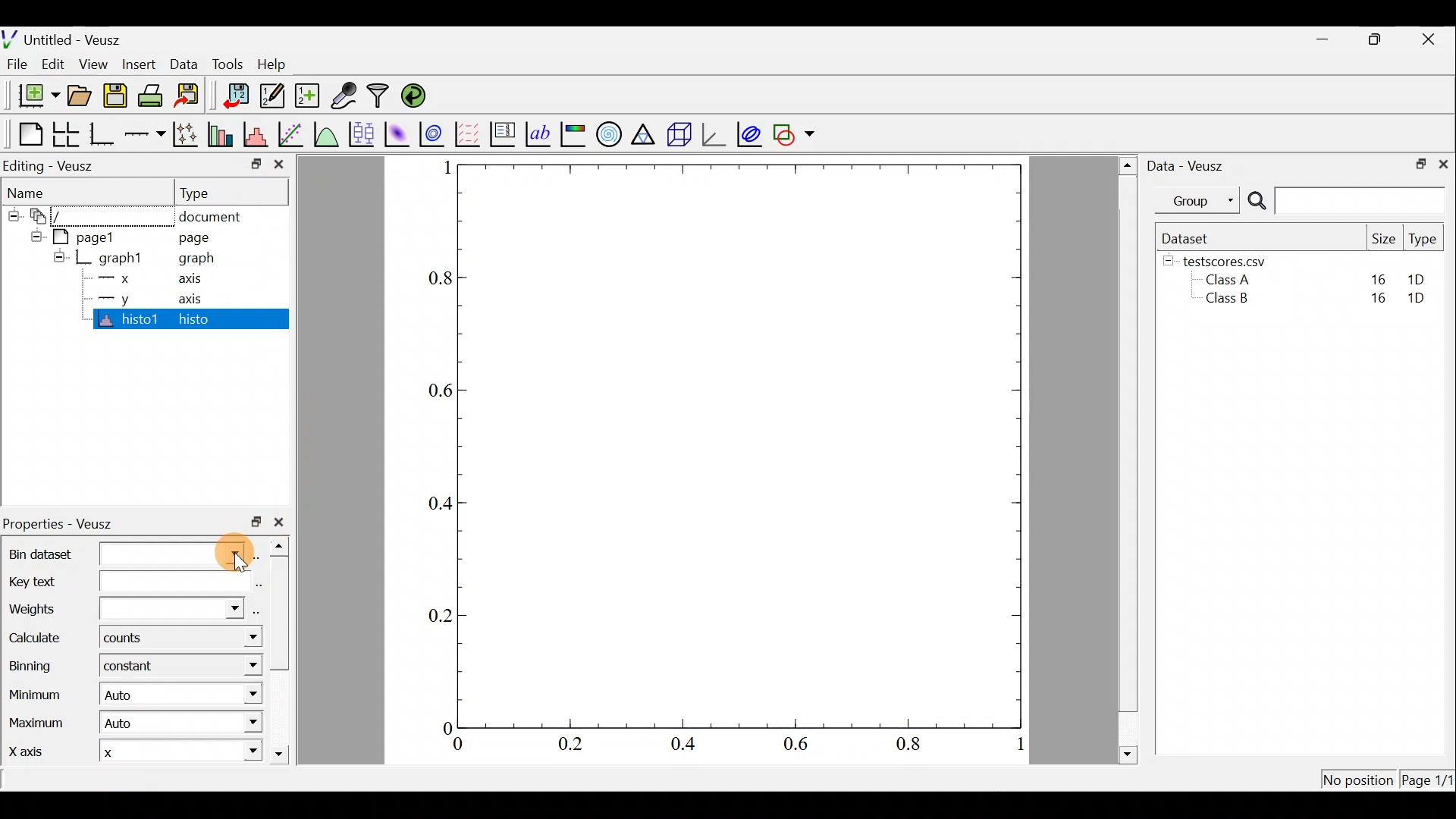  Describe the element at coordinates (609, 135) in the screenshot. I see `Polar graph` at that location.